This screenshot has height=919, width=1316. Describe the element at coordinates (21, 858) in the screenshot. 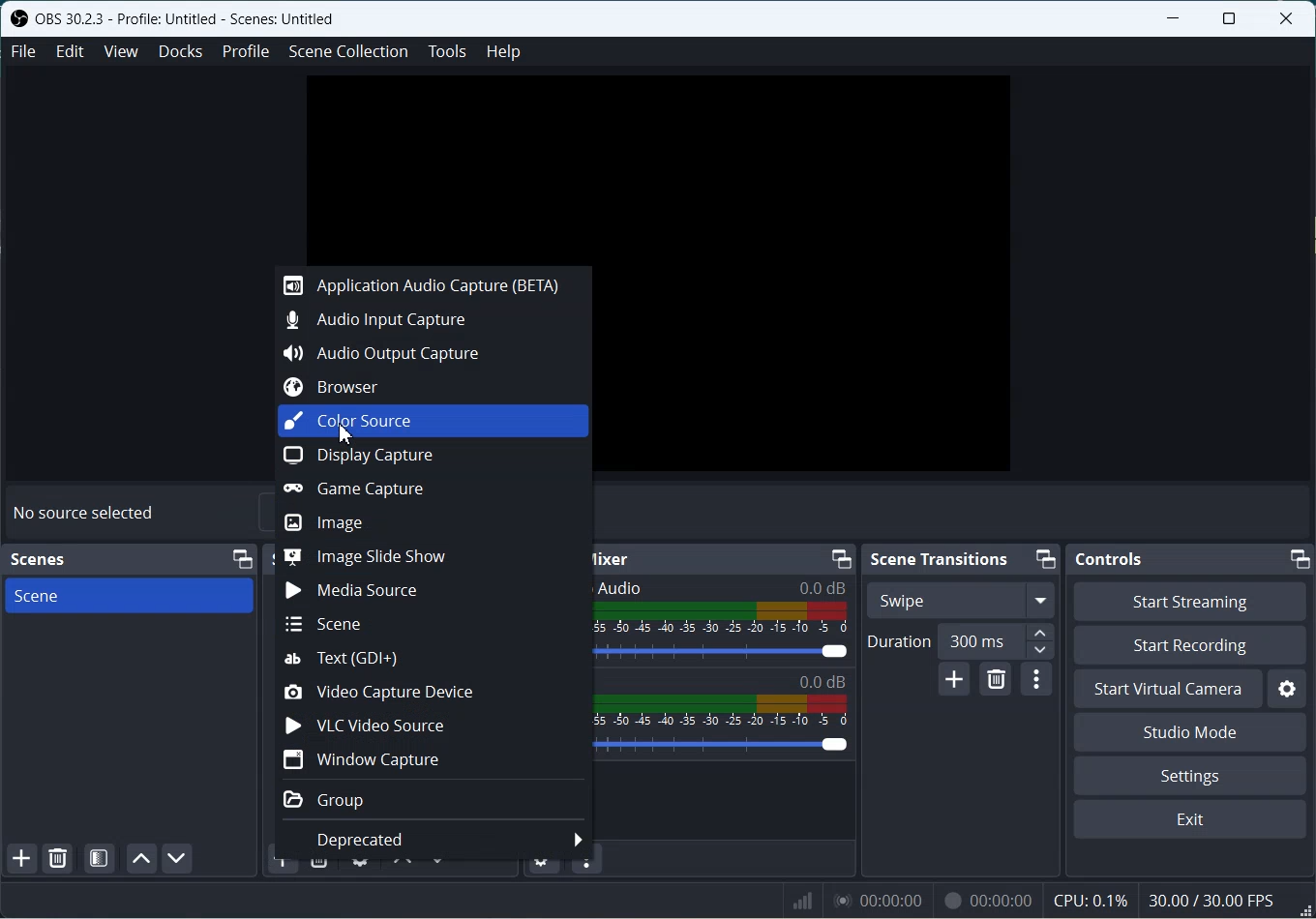

I see `Add Scene` at that location.